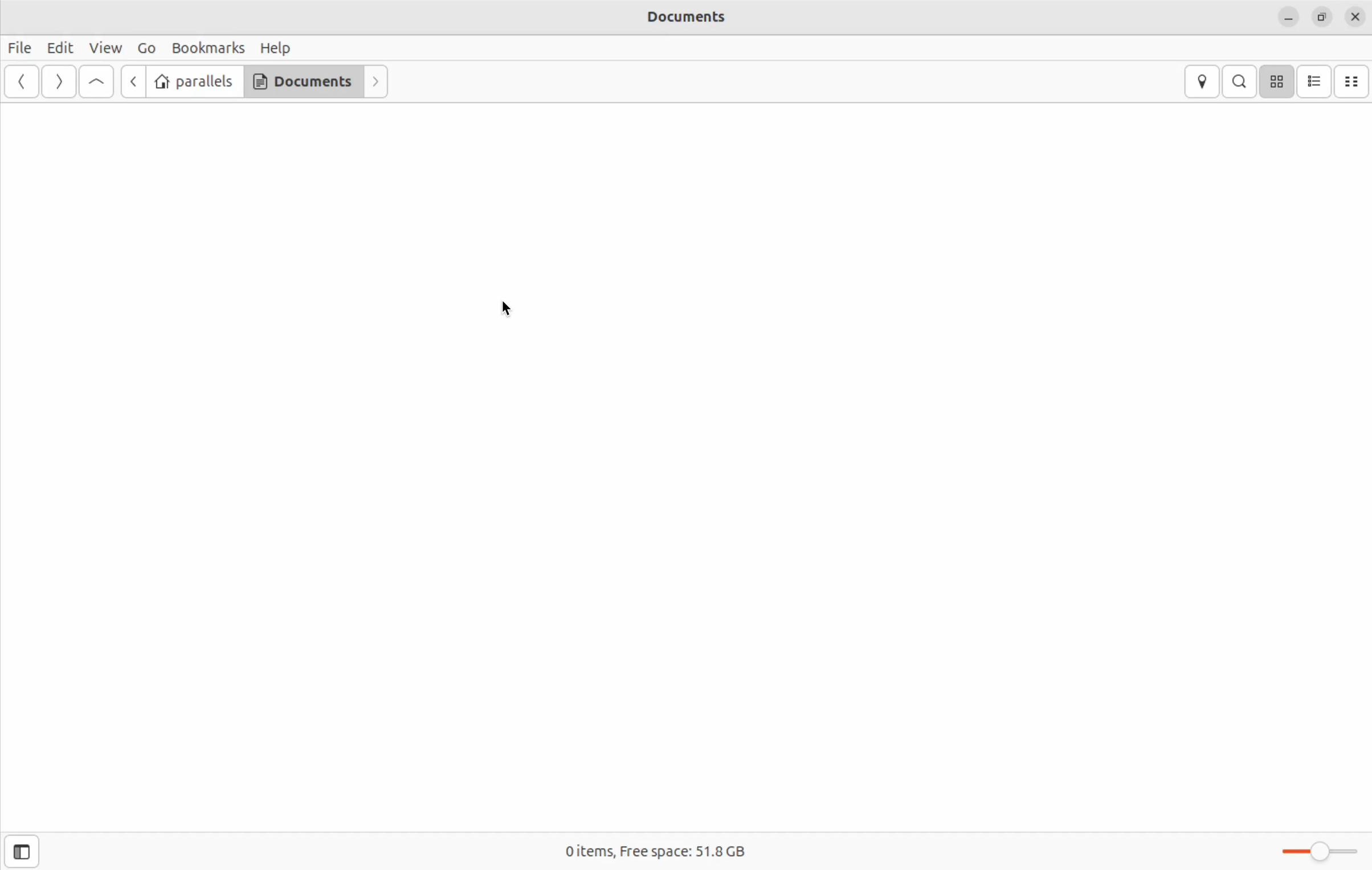  What do you see at coordinates (509, 309) in the screenshot?
I see `cursor` at bounding box center [509, 309].